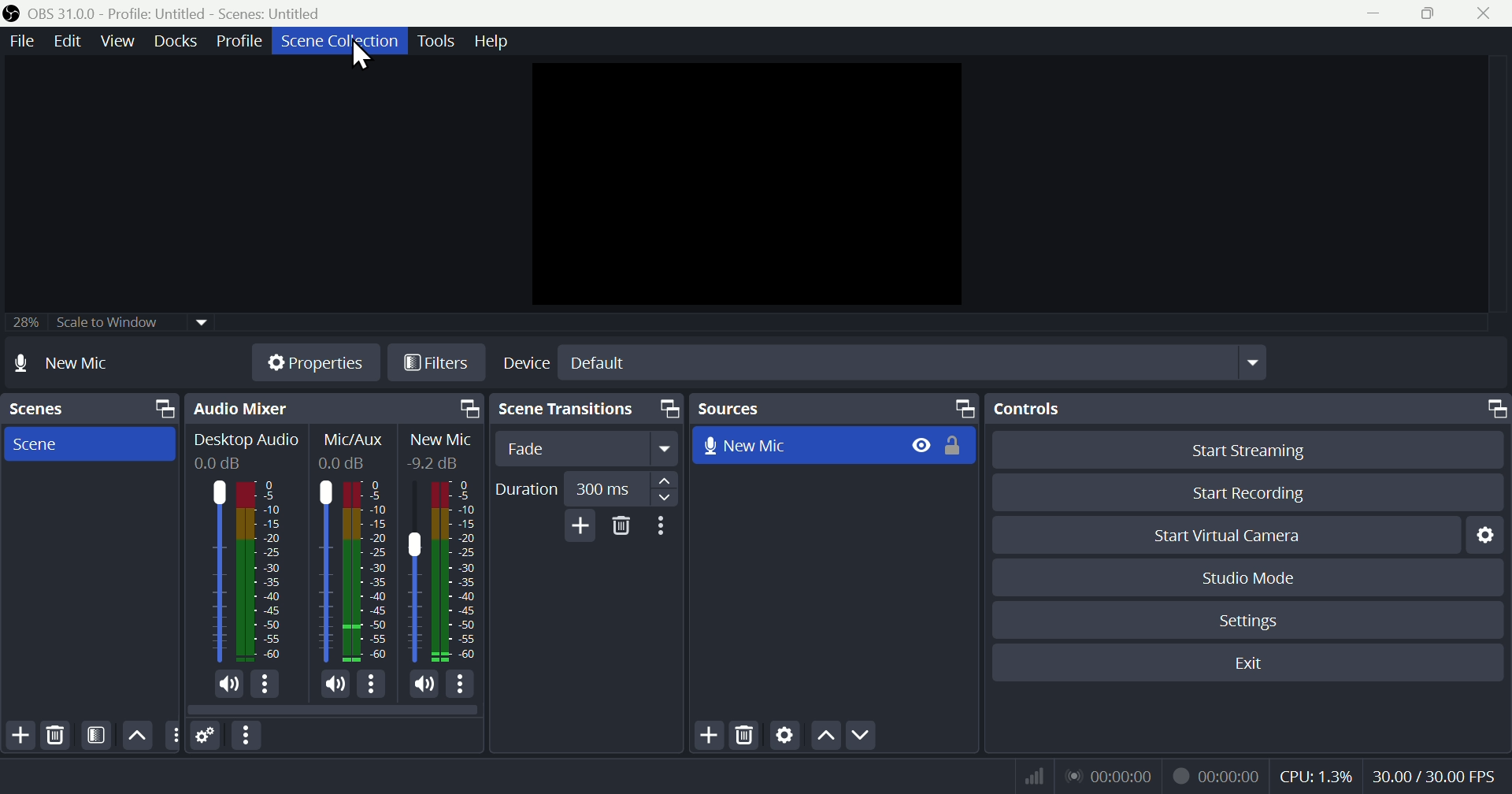  Describe the element at coordinates (229, 685) in the screenshot. I see `(un)mute` at that location.